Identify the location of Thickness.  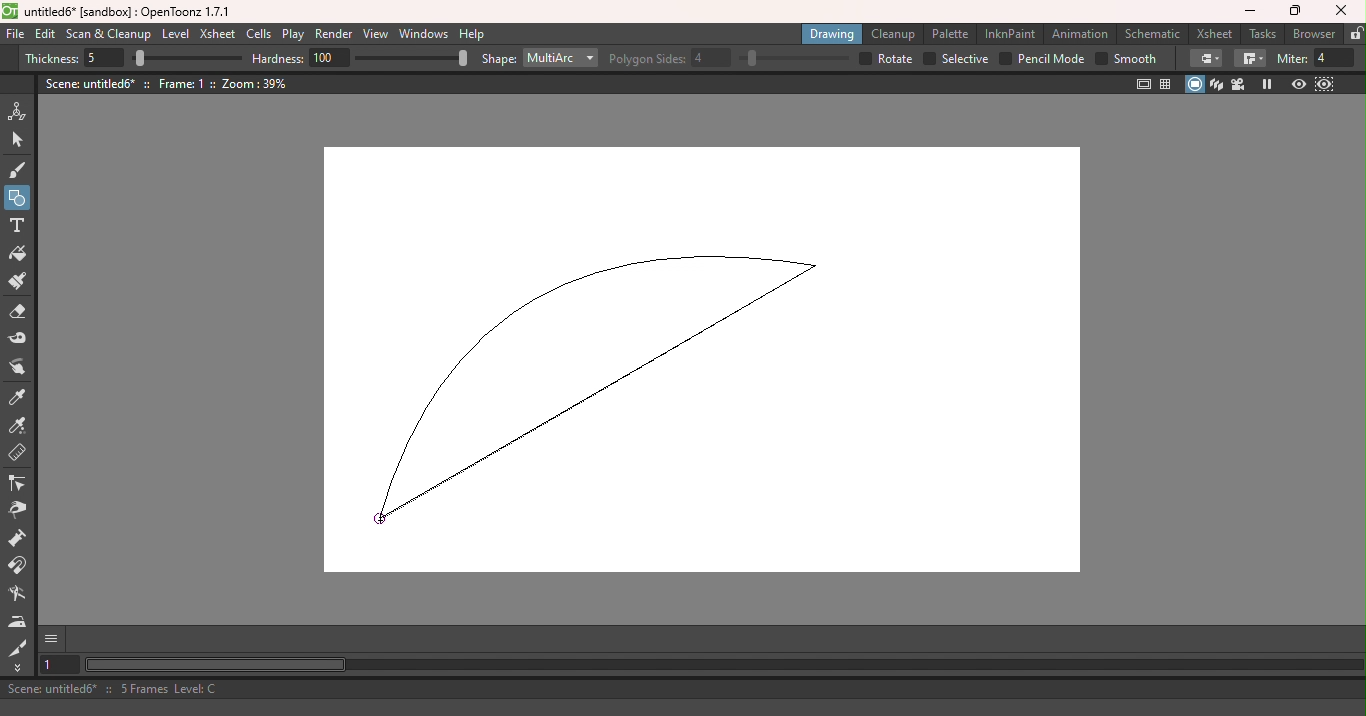
(74, 59).